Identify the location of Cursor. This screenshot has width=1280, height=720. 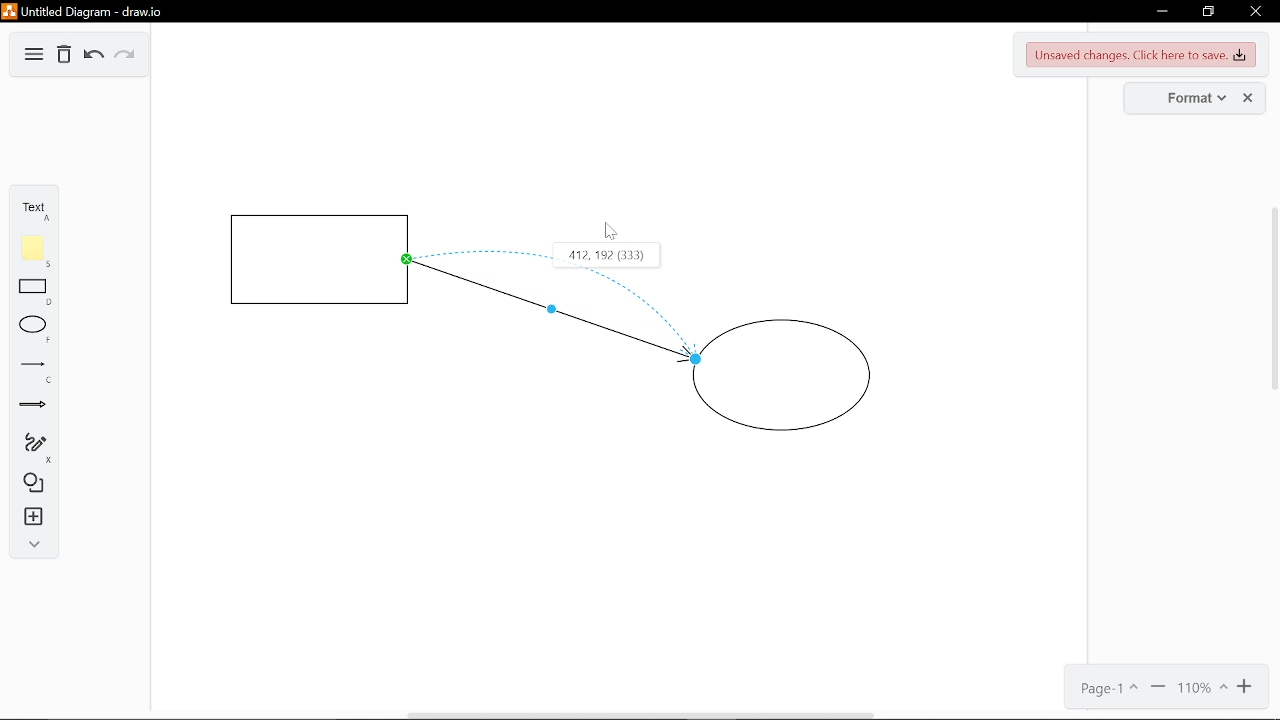
(611, 230).